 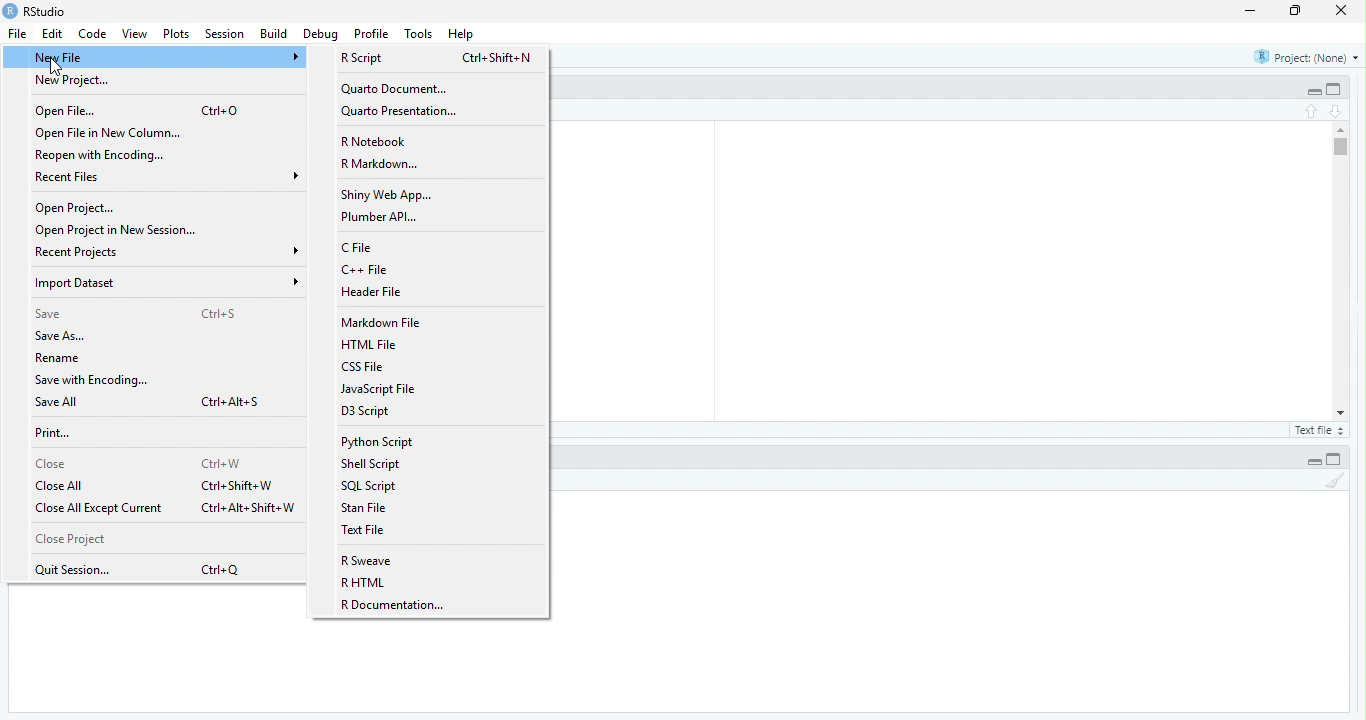 I want to click on Help, so click(x=462, y=34).